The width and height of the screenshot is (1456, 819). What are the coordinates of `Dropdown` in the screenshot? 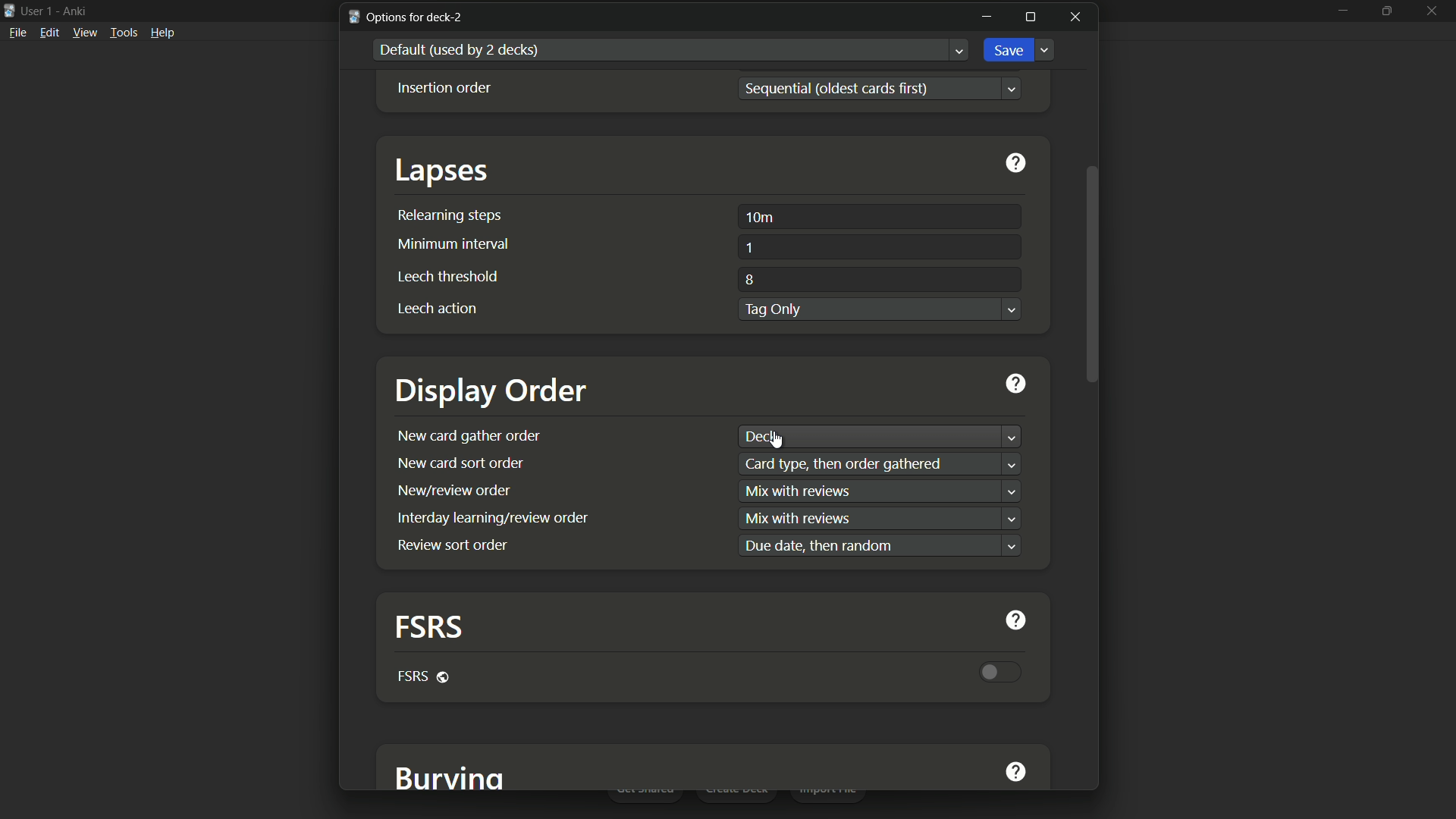 It's located at (962, 47).